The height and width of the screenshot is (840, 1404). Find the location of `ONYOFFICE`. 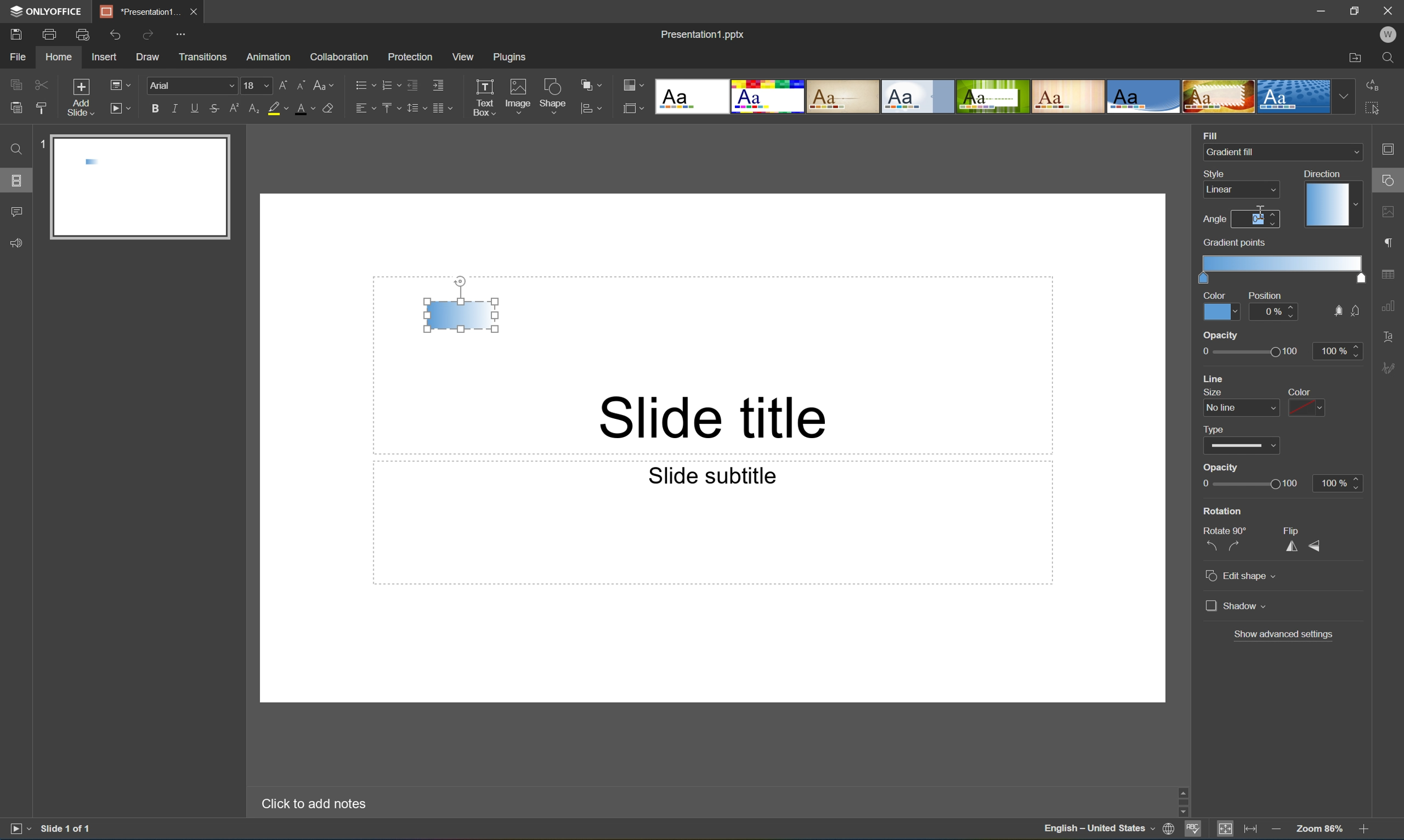

ONYOFFICE is located at coordinates (44, 11).